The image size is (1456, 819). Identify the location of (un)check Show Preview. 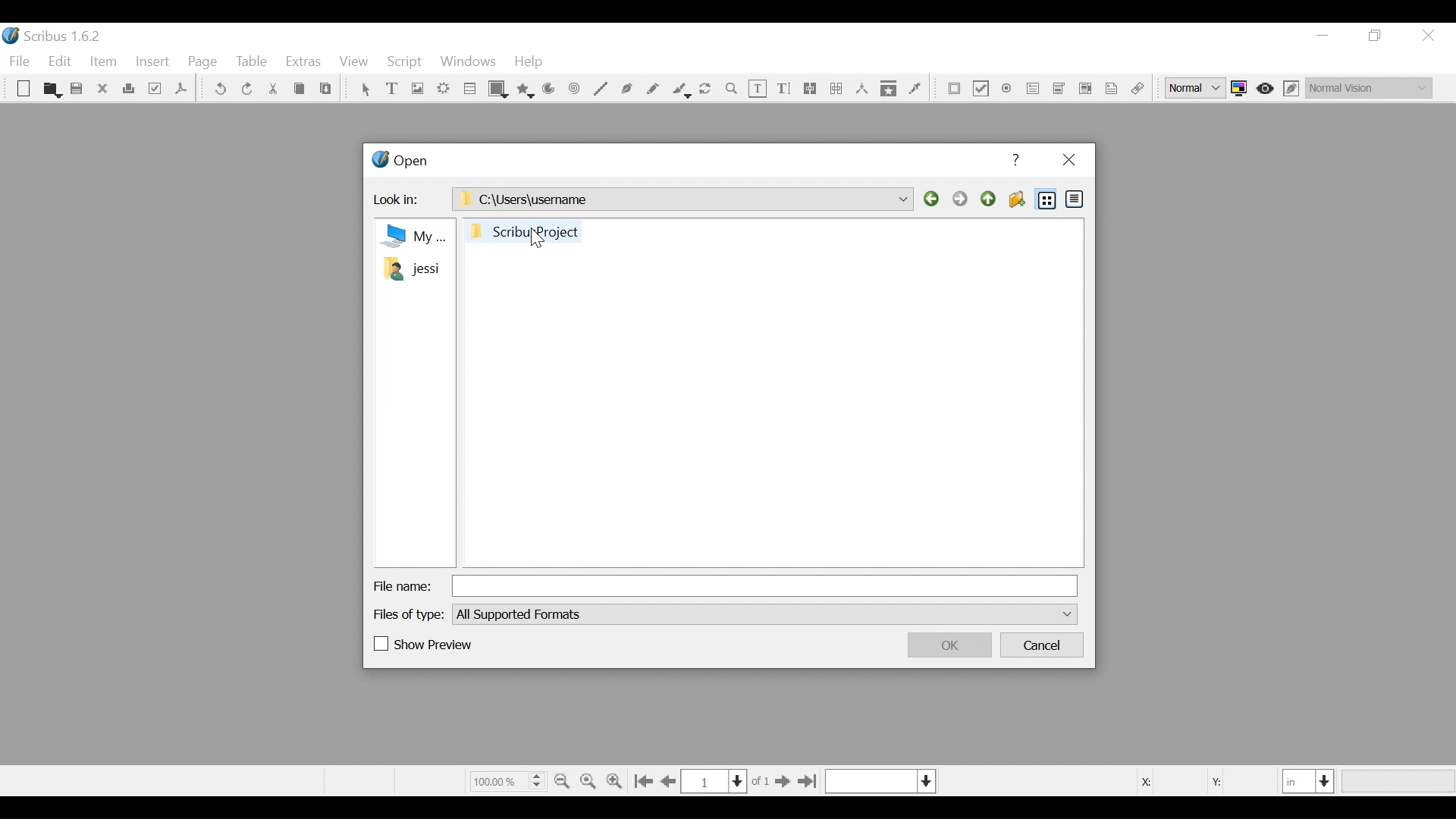
(424, 645).